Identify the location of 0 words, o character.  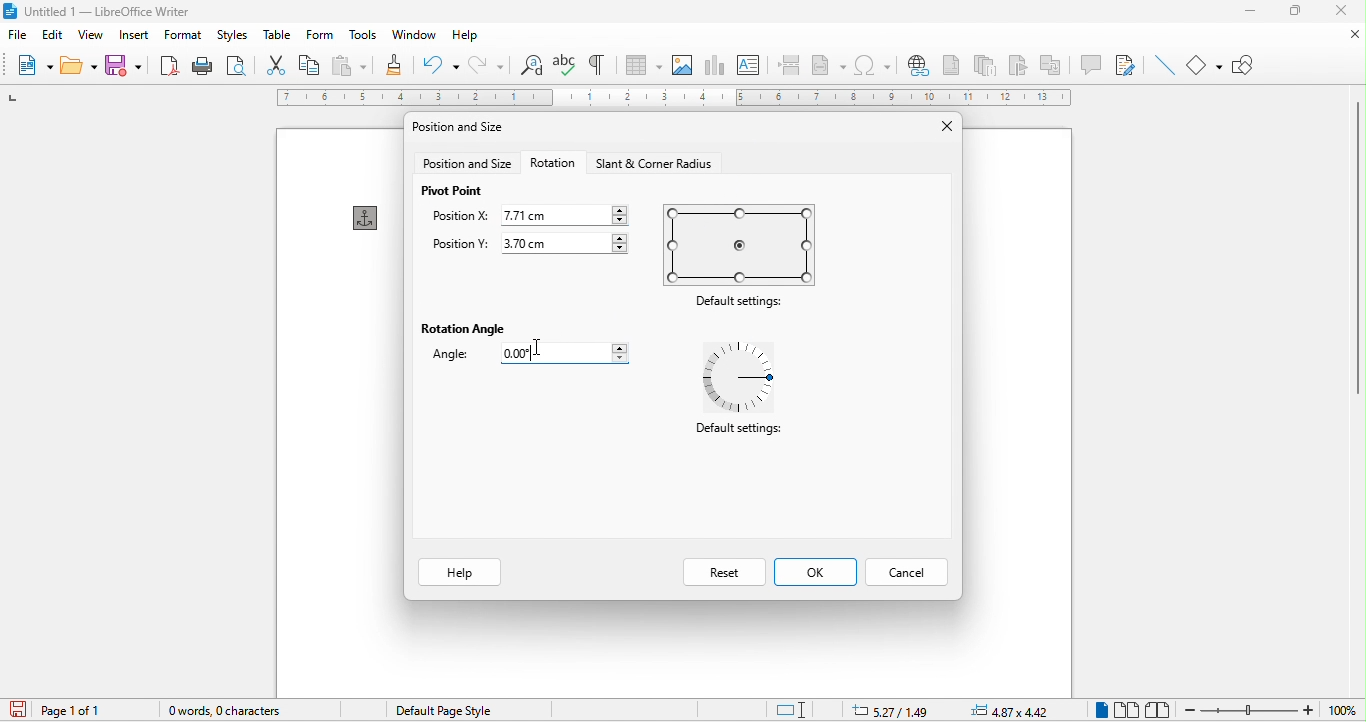
(246, 711).